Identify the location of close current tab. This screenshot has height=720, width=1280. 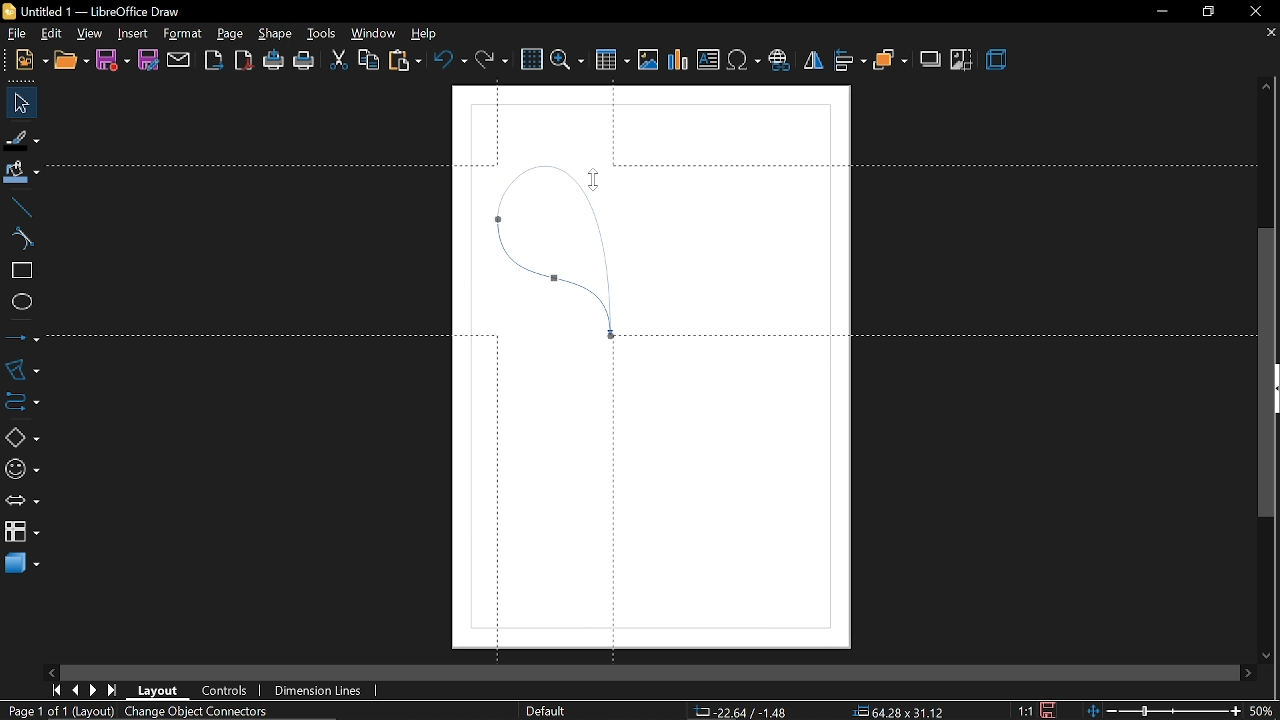
(1270, 37).